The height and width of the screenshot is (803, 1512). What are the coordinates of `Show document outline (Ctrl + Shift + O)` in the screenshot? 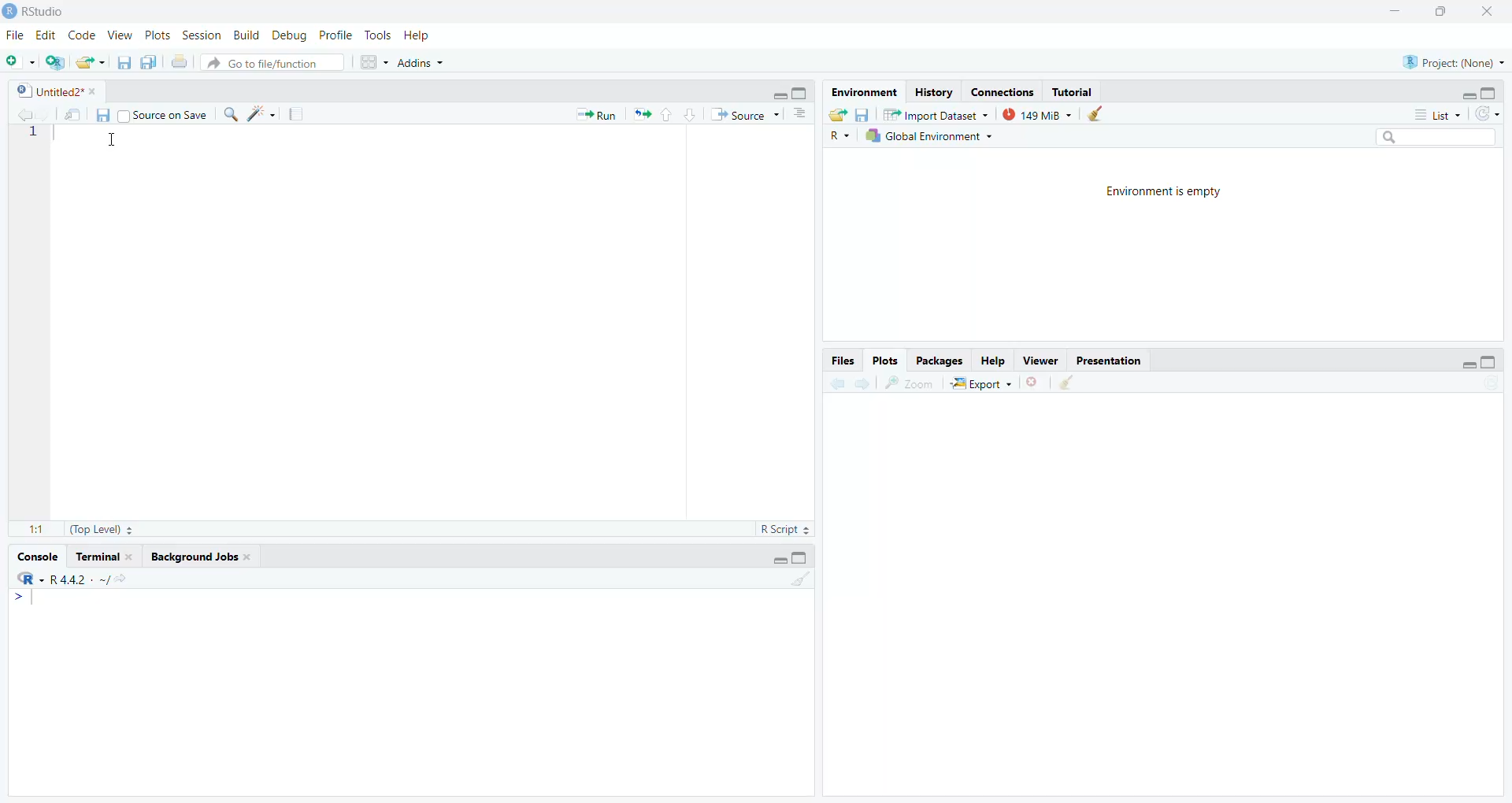 It's located at (802, 113).